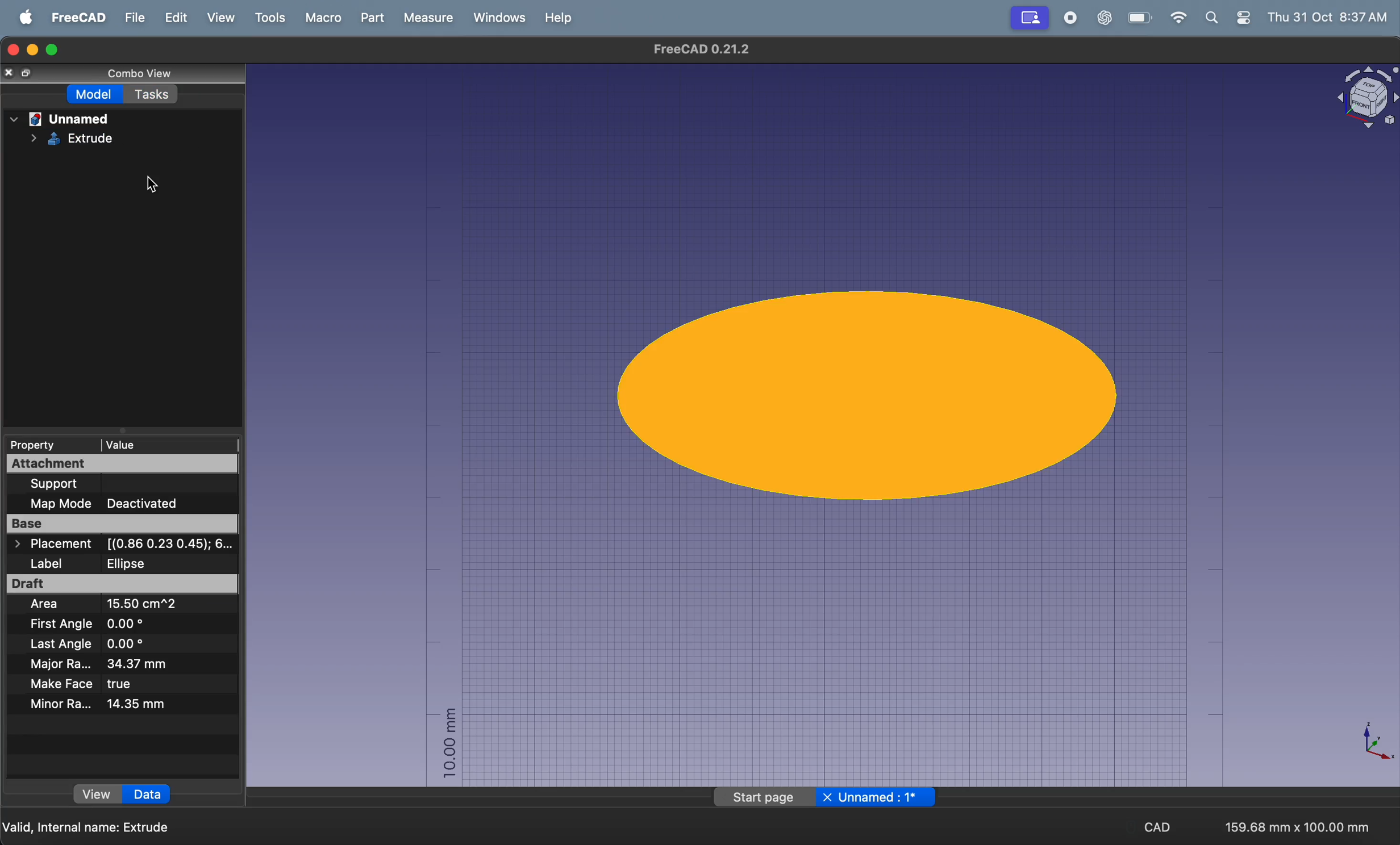 This screenshot has width=1400, height=845. I want to click on property, so click(35, 445).